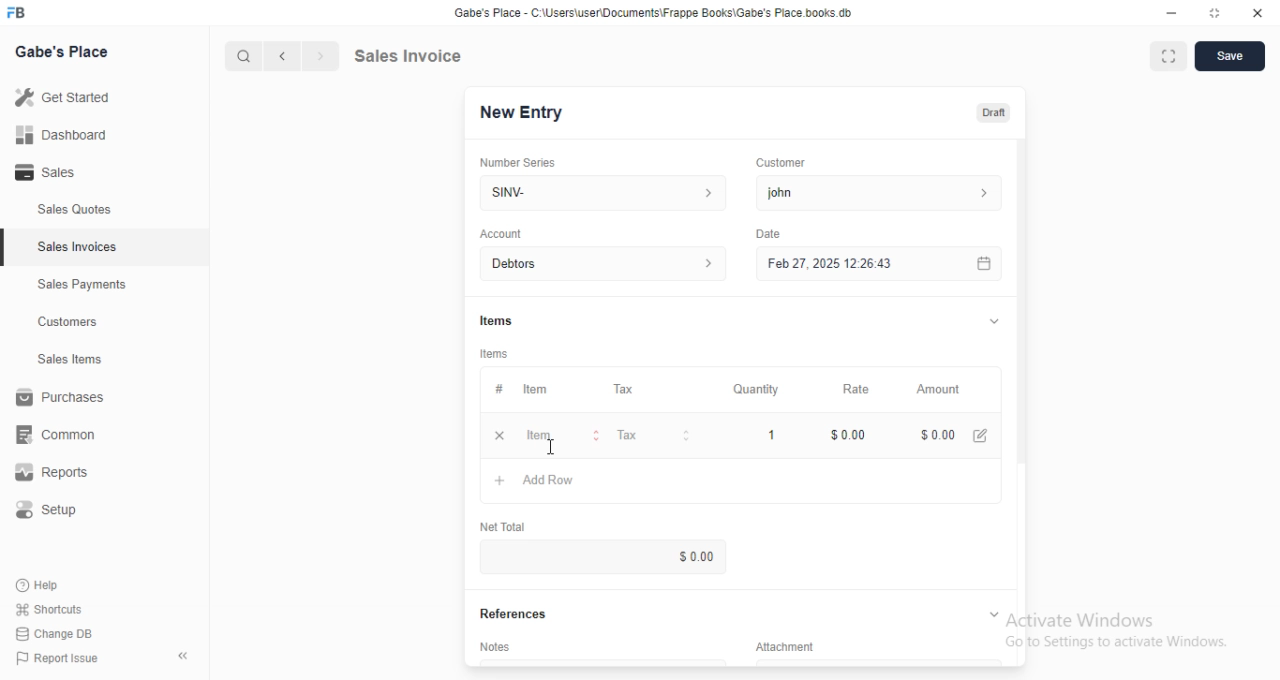 This screenshot has height=680, width=1280. Describe the element at coordinates (449, 56) in the screenshot. I see `Sales Invoice` at that location.